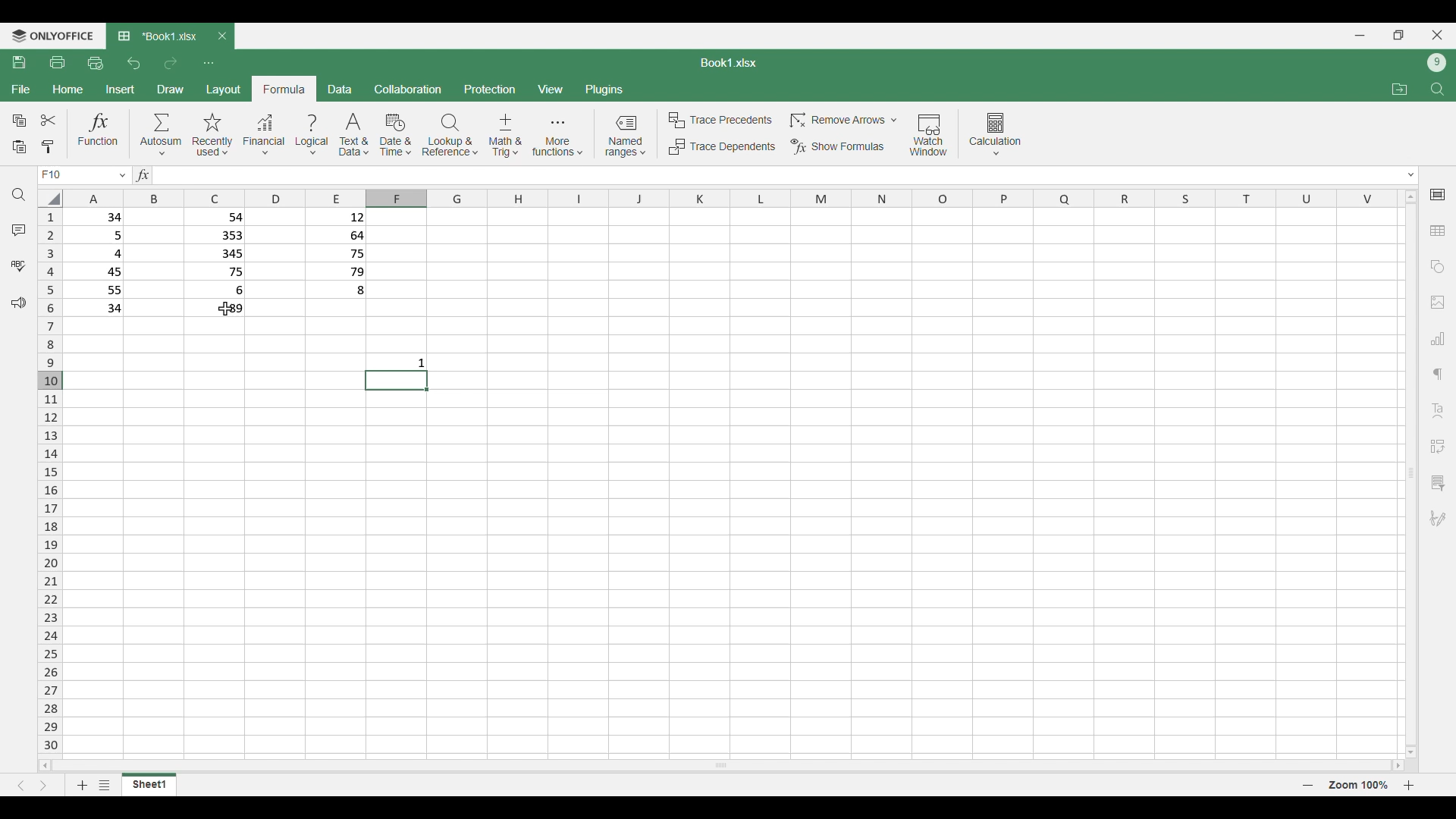 The image size is (1456, 819). I want to click on Cell settings, so click(1438, 195).